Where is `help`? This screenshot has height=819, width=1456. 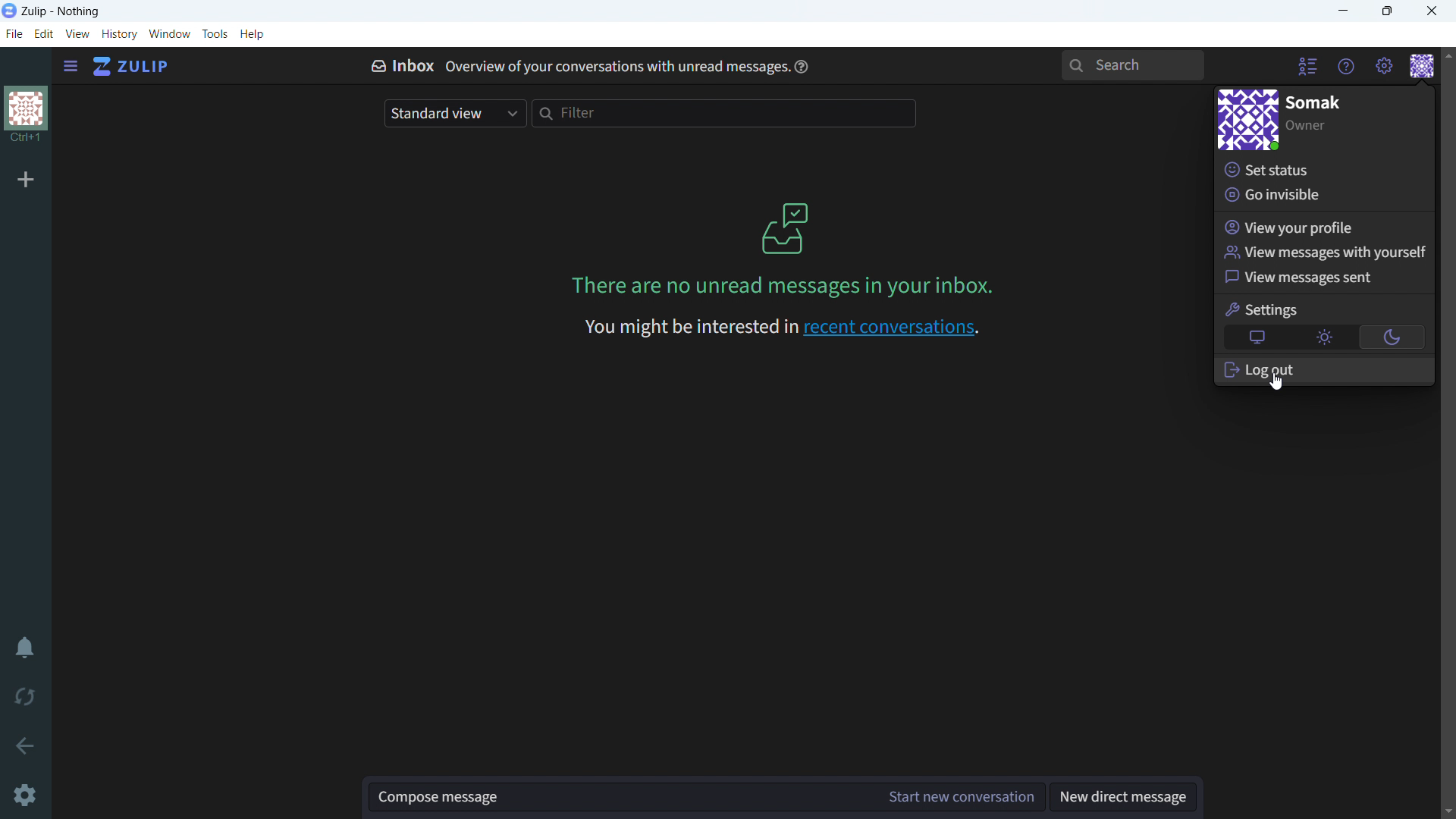
help is located at coordinates (252, 34).